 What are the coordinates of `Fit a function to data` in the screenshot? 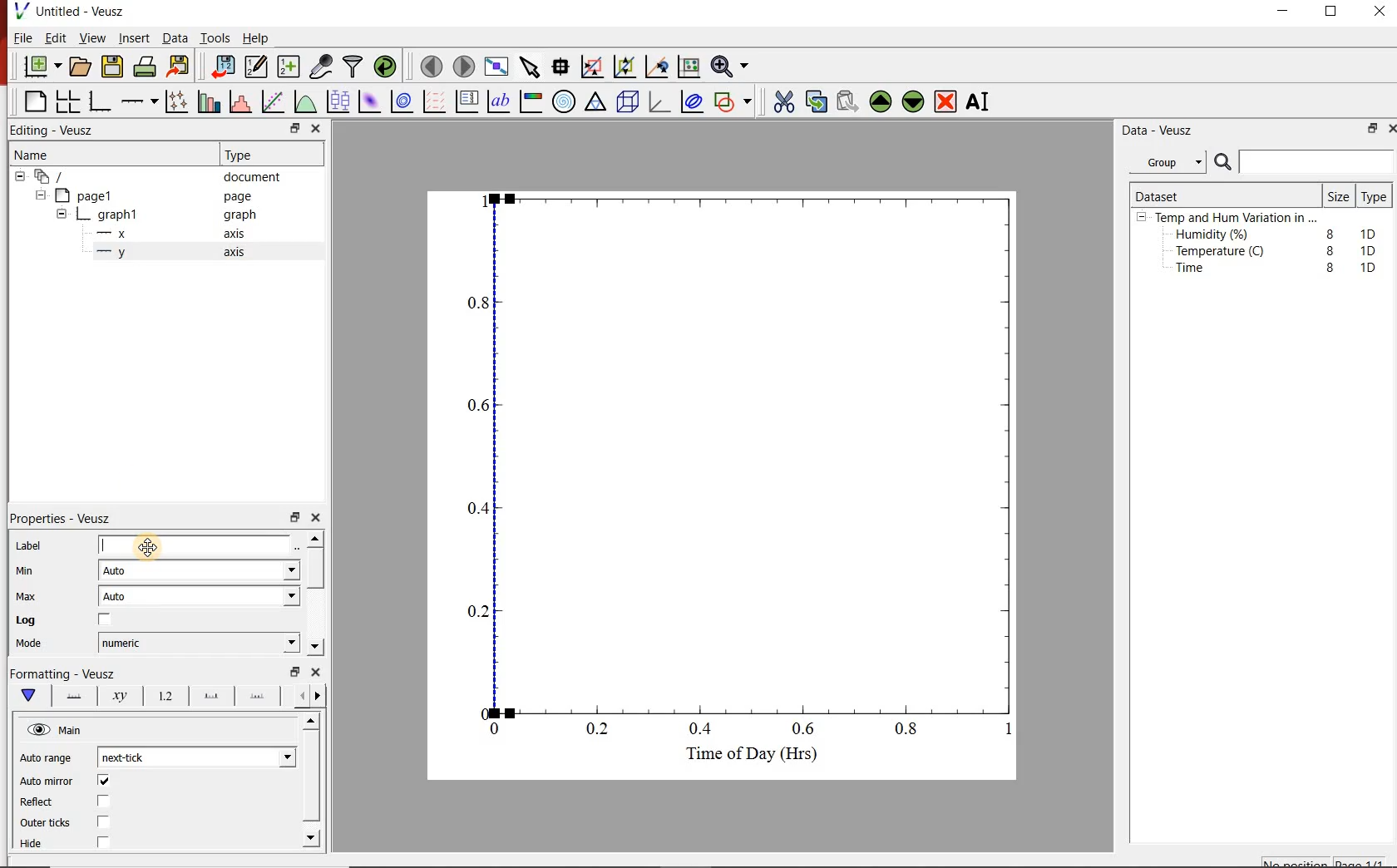 It's located at (274, 101).